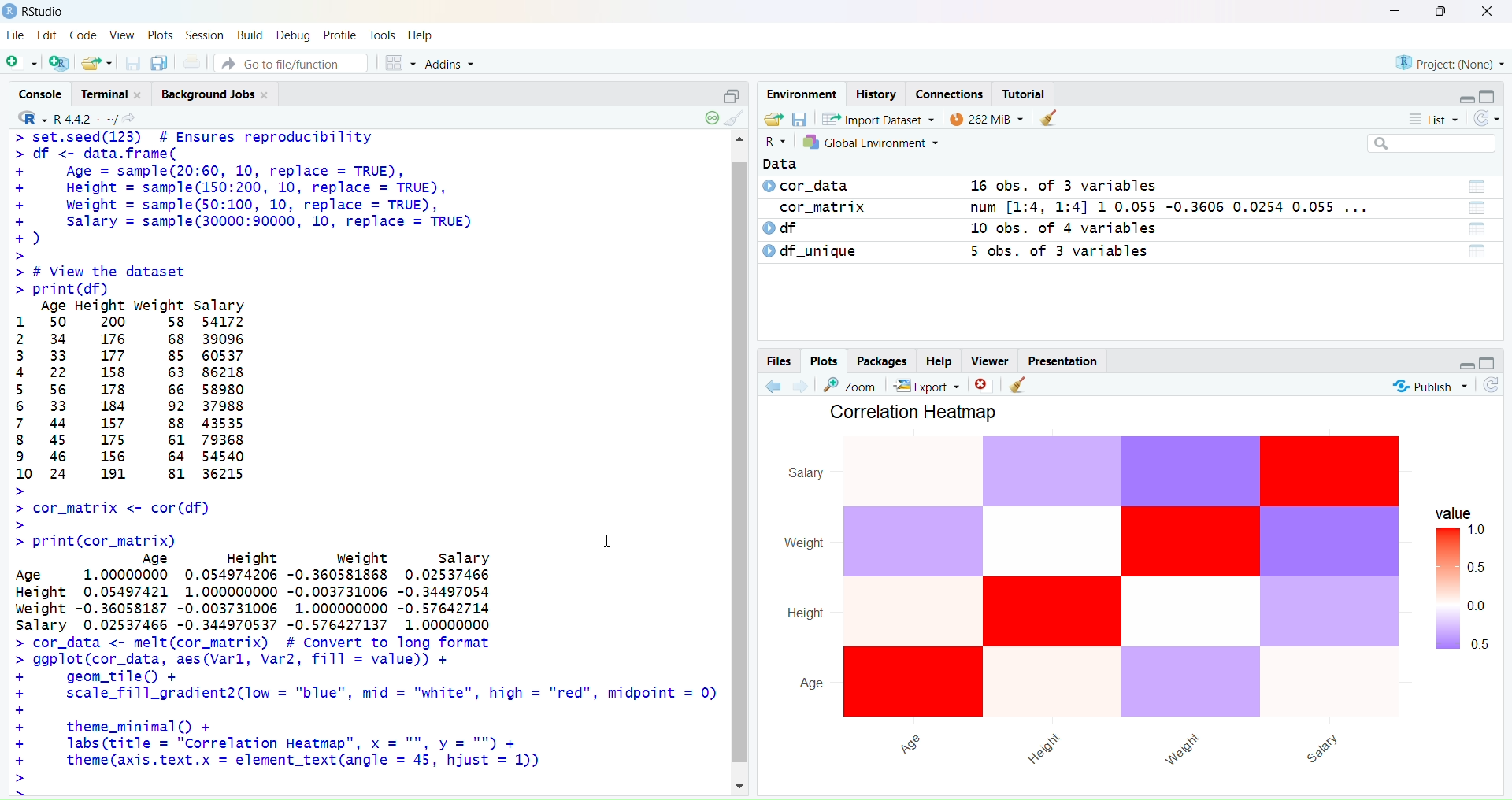  Describe the element at coordinates (931, 384) in the screenshot. I see `Export` at that location.